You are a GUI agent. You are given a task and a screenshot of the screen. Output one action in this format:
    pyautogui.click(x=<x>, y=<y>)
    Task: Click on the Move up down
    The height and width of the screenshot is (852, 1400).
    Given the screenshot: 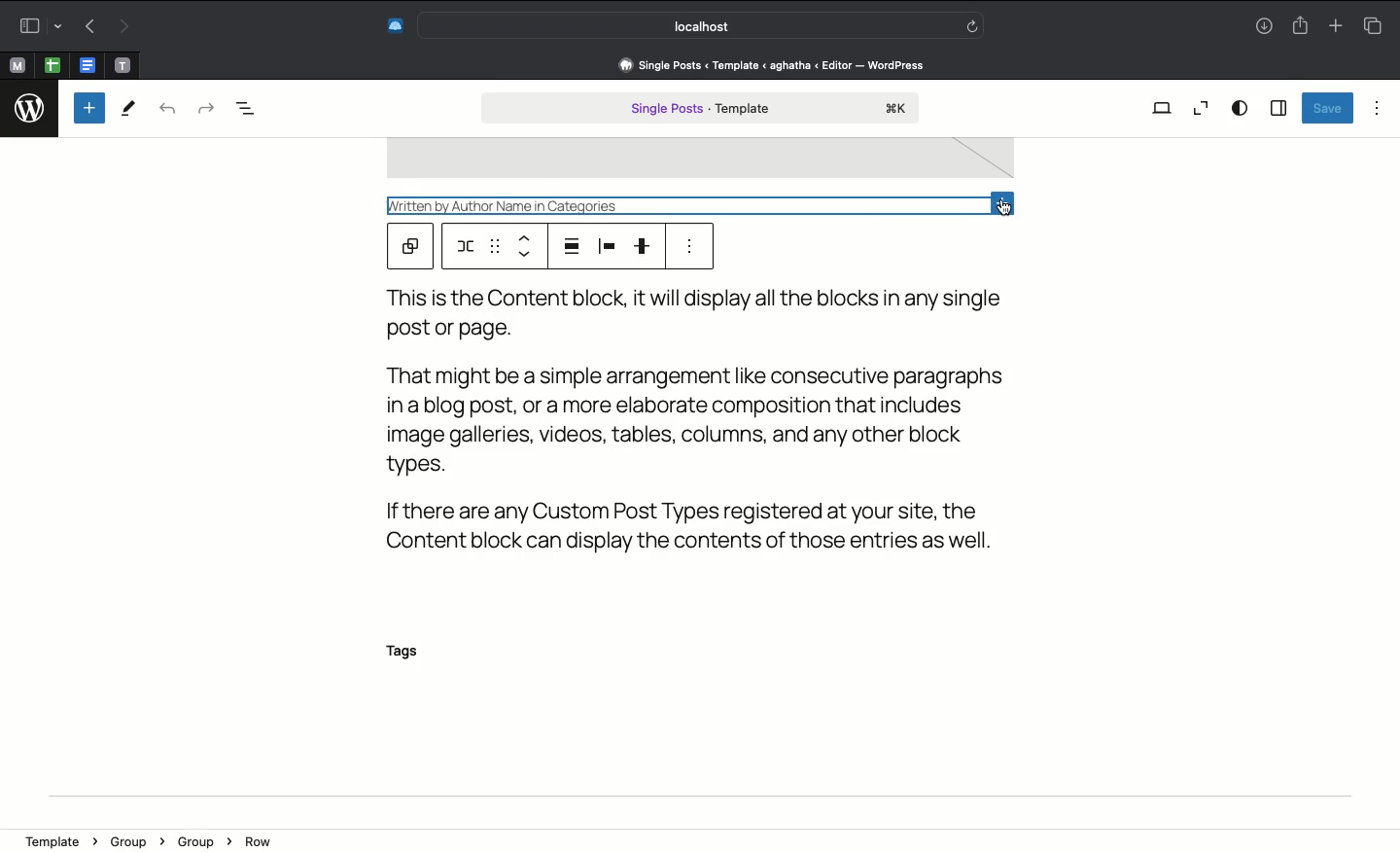 What is the action you would take?
    pyautogui.click(x=526, y=244)
    